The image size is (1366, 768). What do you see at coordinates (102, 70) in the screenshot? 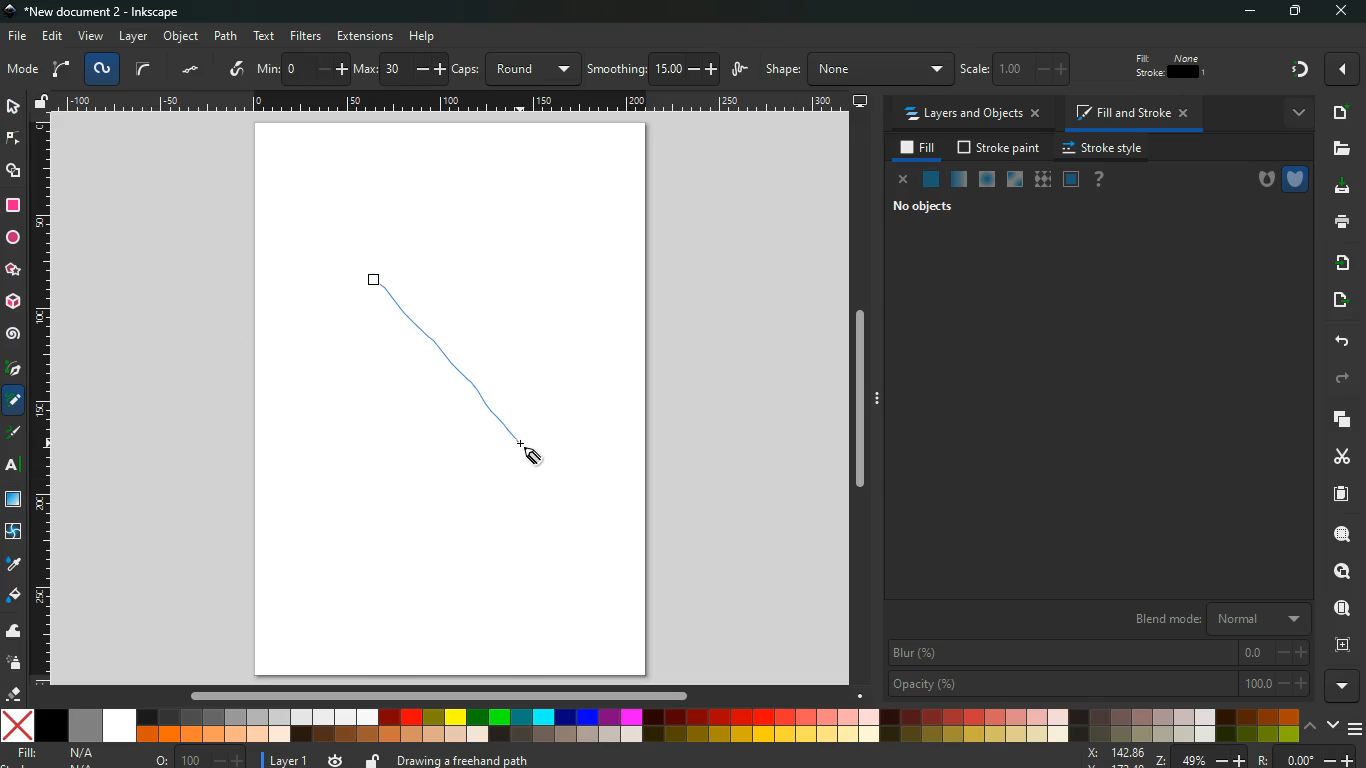
I see `spyro path` at bounding box center [102, 70].